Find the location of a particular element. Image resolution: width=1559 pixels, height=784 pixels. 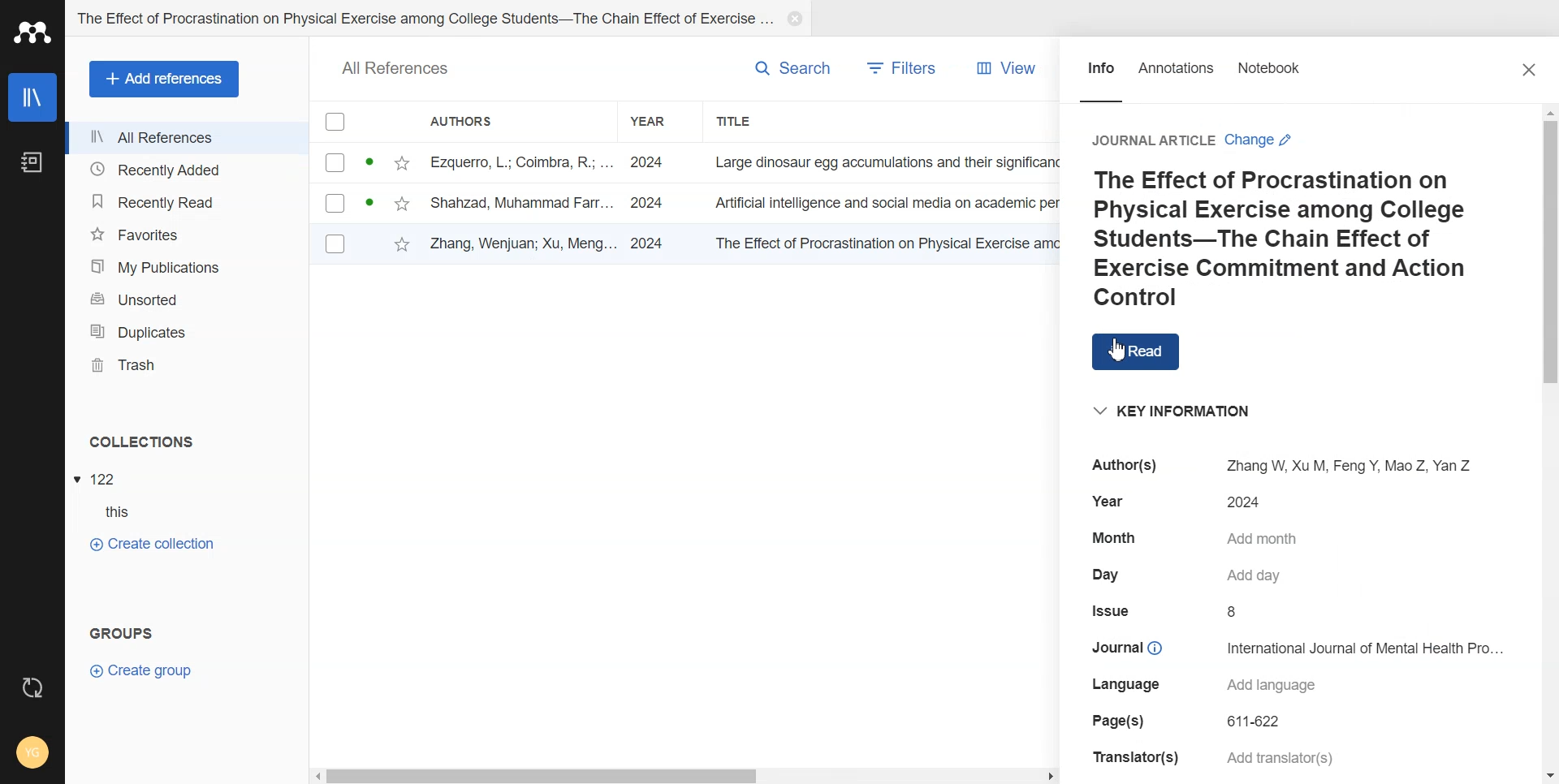

Library is located at coordinates (32, 97).